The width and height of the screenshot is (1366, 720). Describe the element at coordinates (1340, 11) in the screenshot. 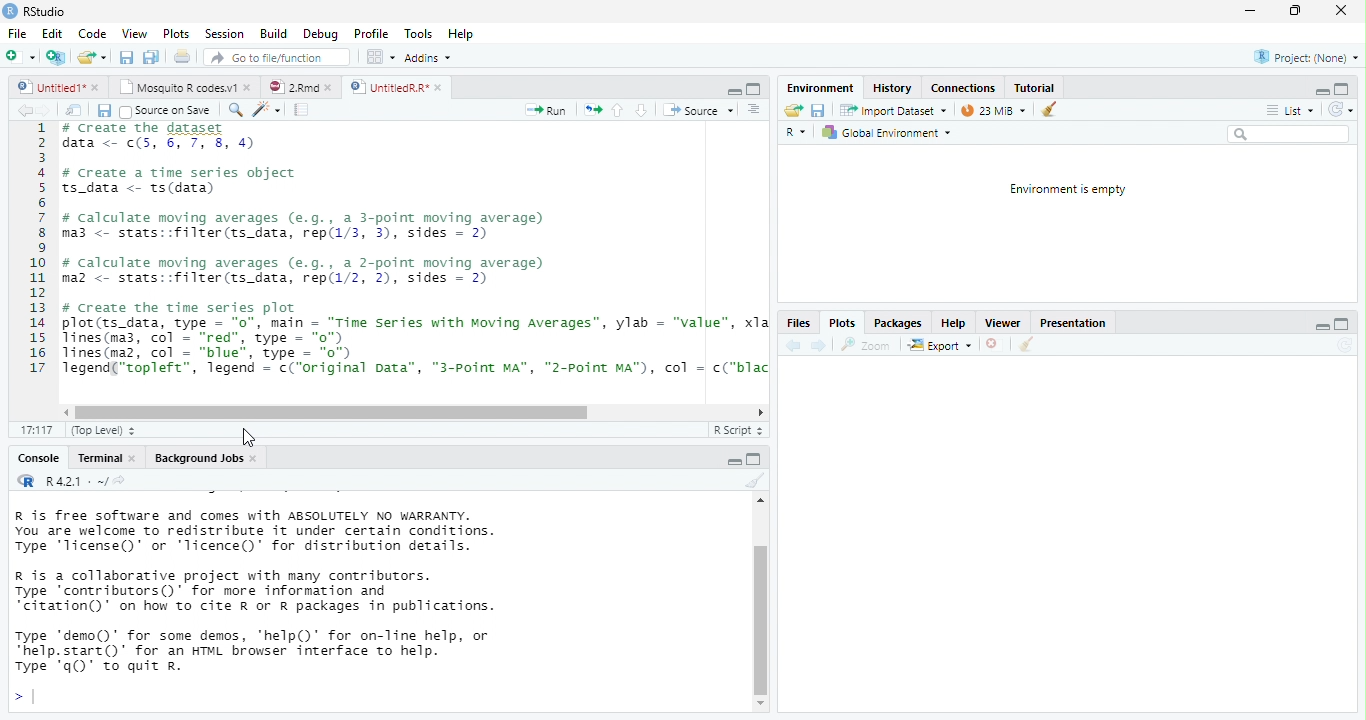

I see `close` at that location.